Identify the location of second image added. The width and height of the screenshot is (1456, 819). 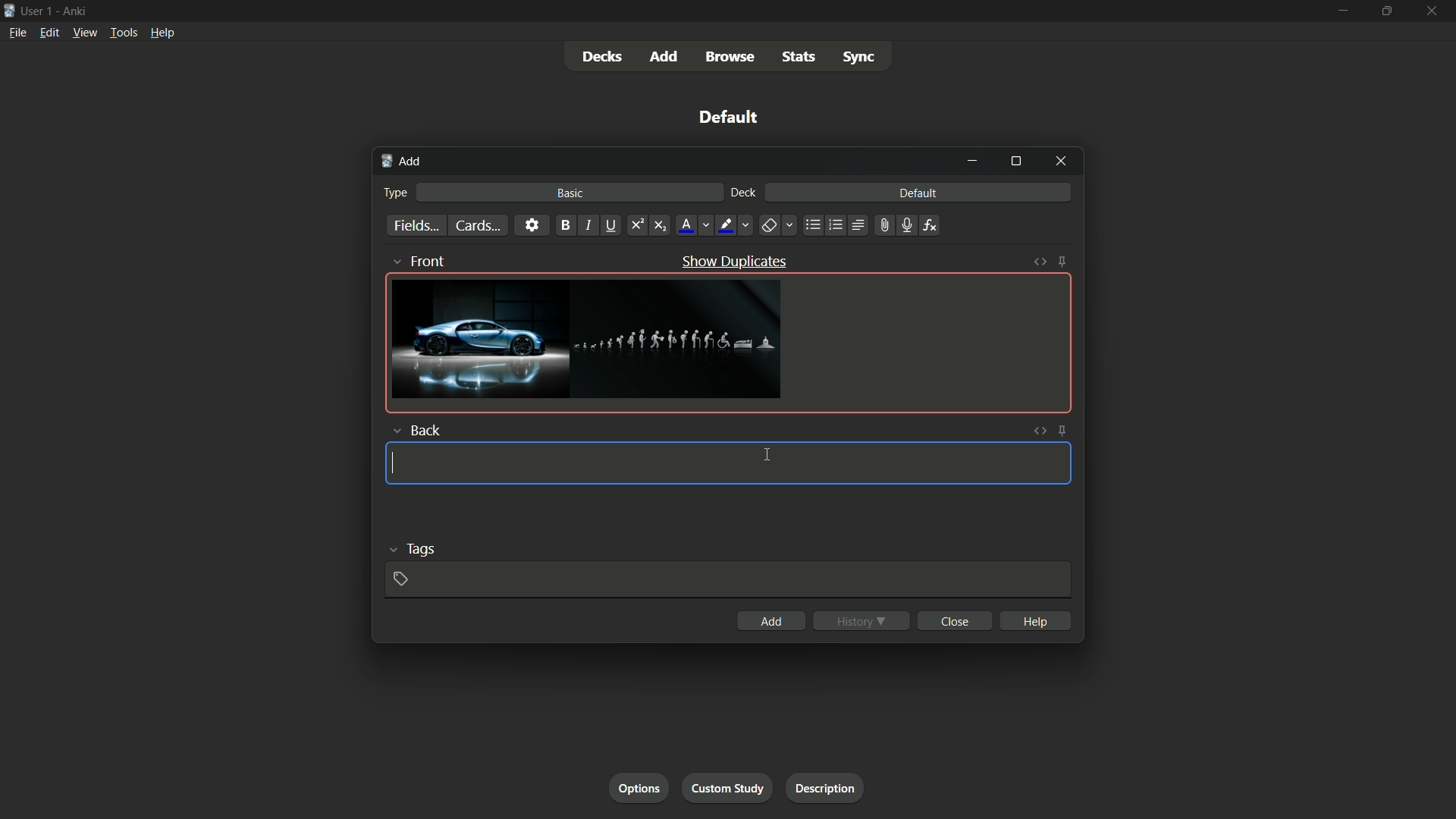
(679, 340).